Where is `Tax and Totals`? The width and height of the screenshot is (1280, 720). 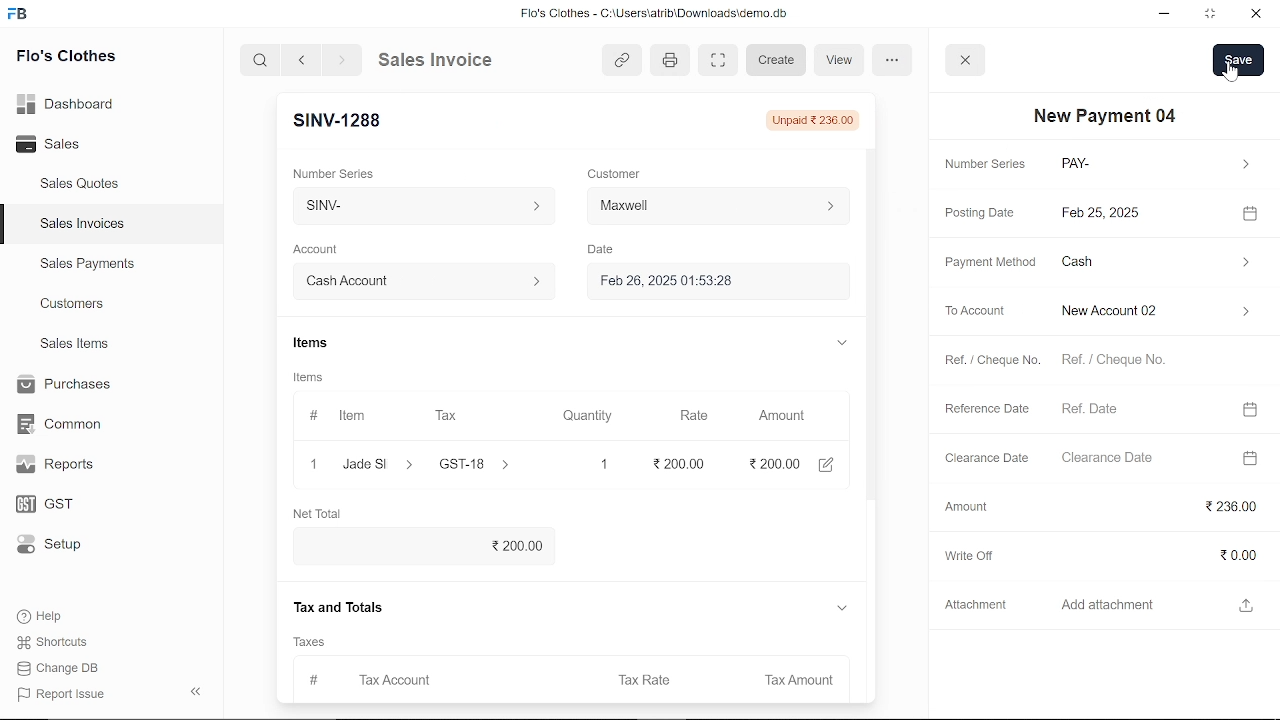 Tax and Totals is located at coordinates (343, 605).